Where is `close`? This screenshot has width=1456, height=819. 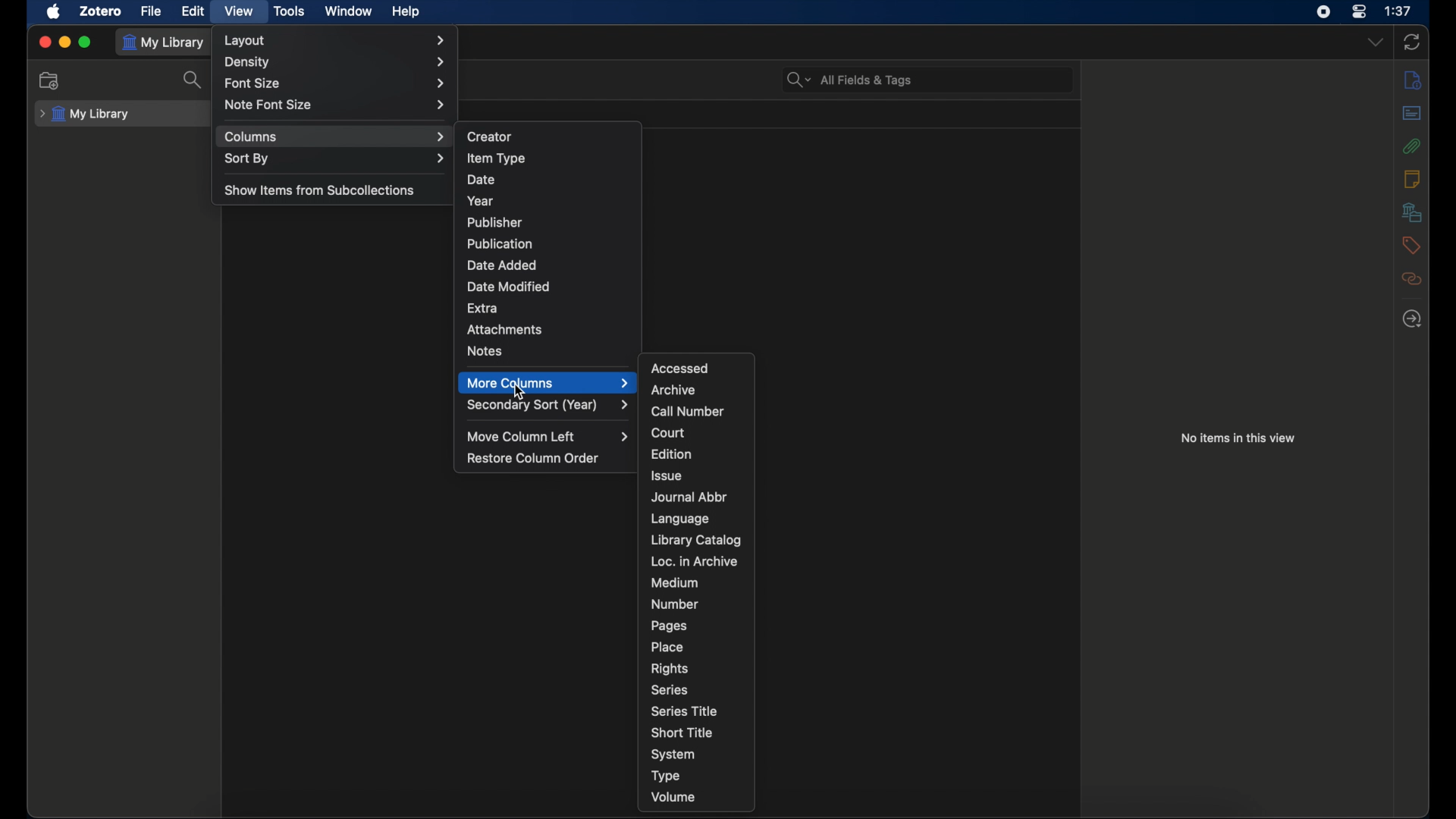 close is located at coordinates (42, 42).